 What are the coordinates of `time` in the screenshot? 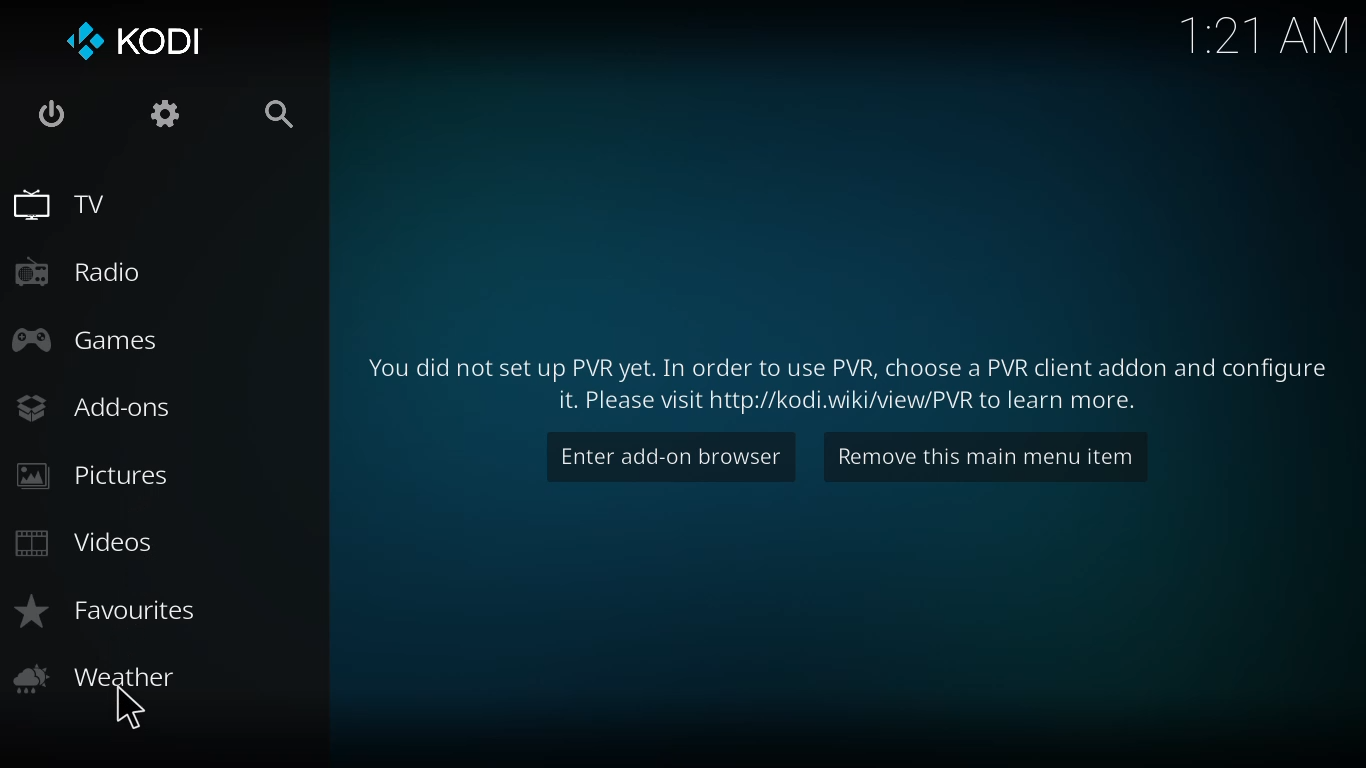 It's located at (1268, 34).